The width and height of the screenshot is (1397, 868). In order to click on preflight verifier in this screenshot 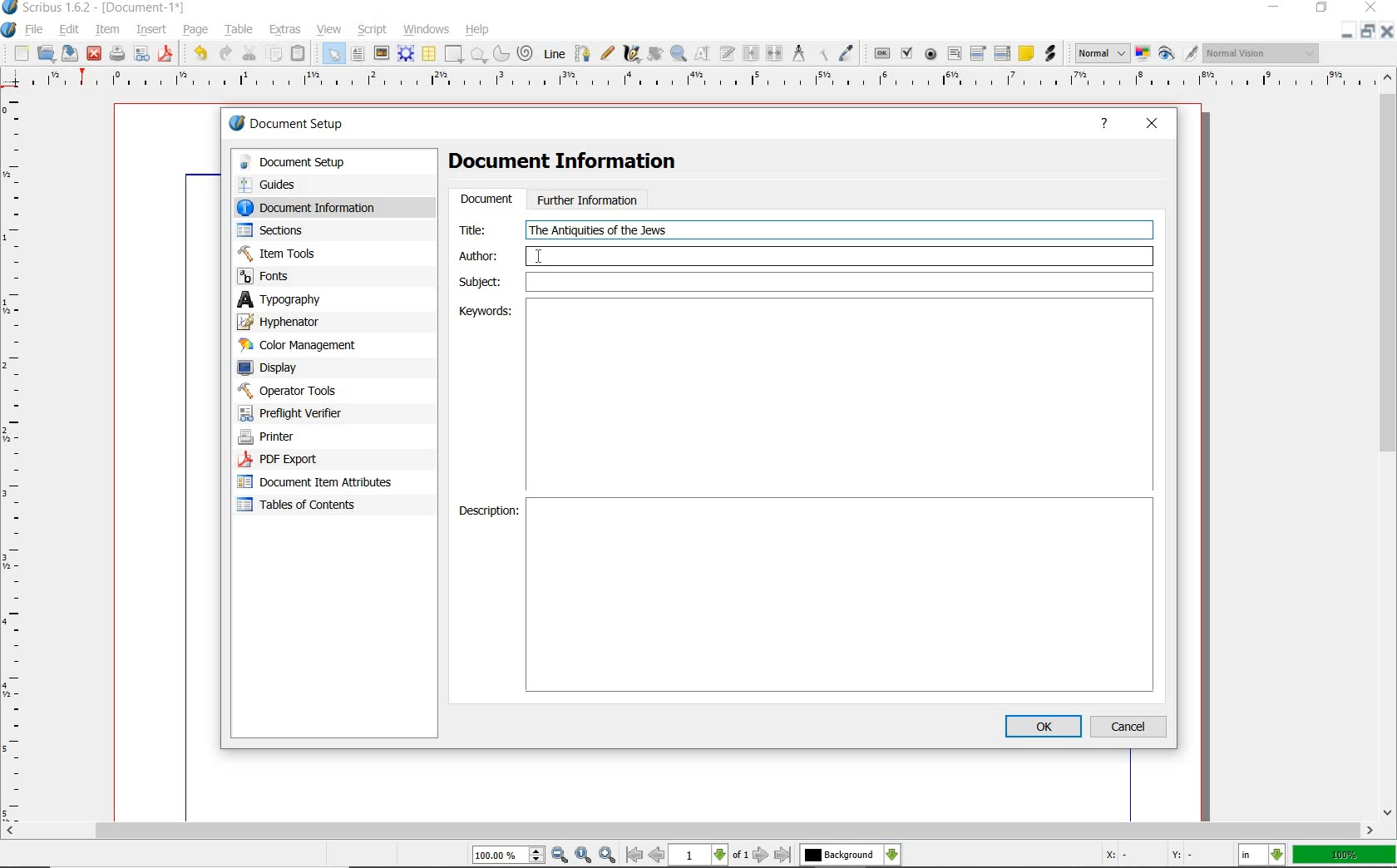, I will do `click(141, 55)`.